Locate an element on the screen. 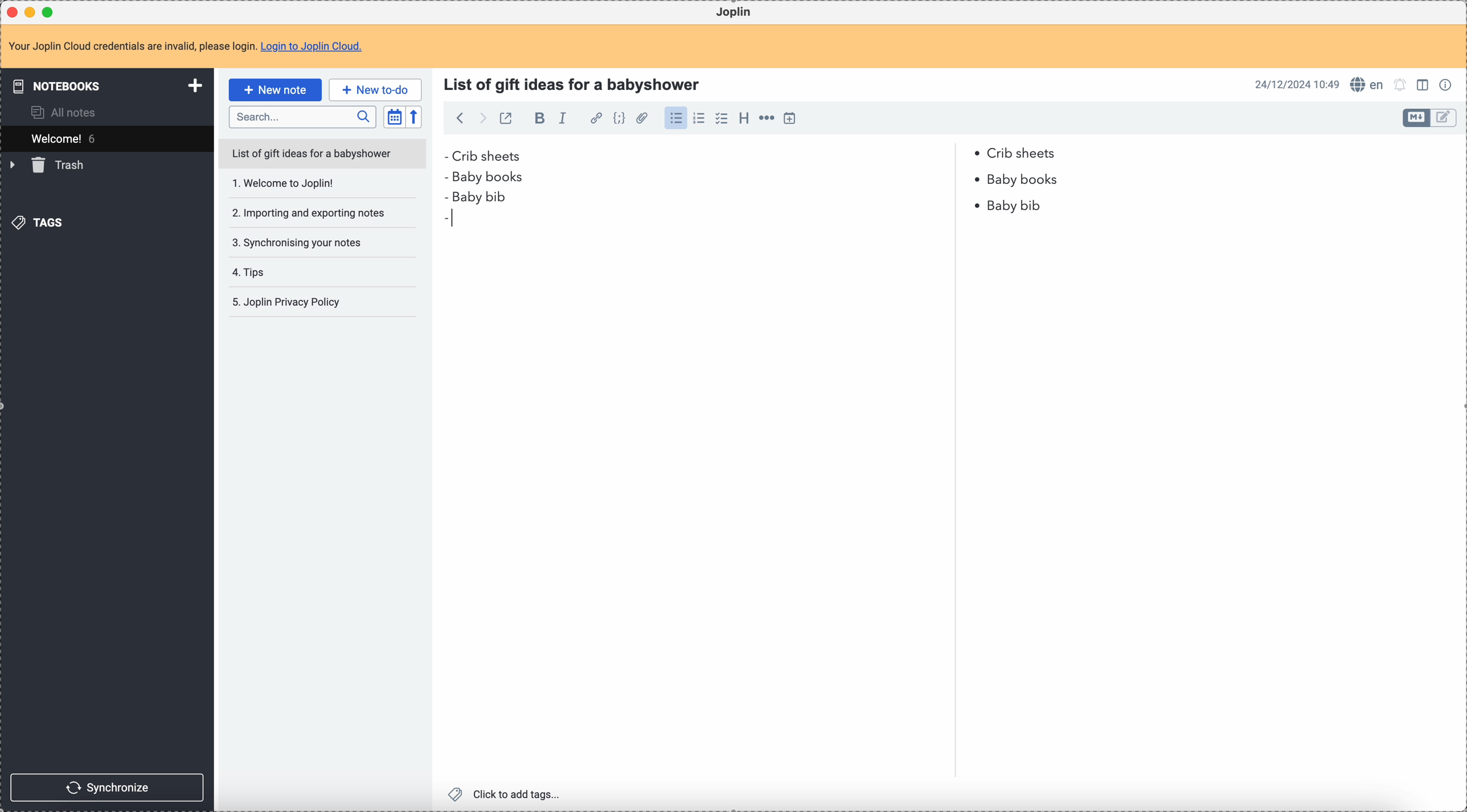 The image size is (1467, 812). tips is located at coordinates (284, 272).